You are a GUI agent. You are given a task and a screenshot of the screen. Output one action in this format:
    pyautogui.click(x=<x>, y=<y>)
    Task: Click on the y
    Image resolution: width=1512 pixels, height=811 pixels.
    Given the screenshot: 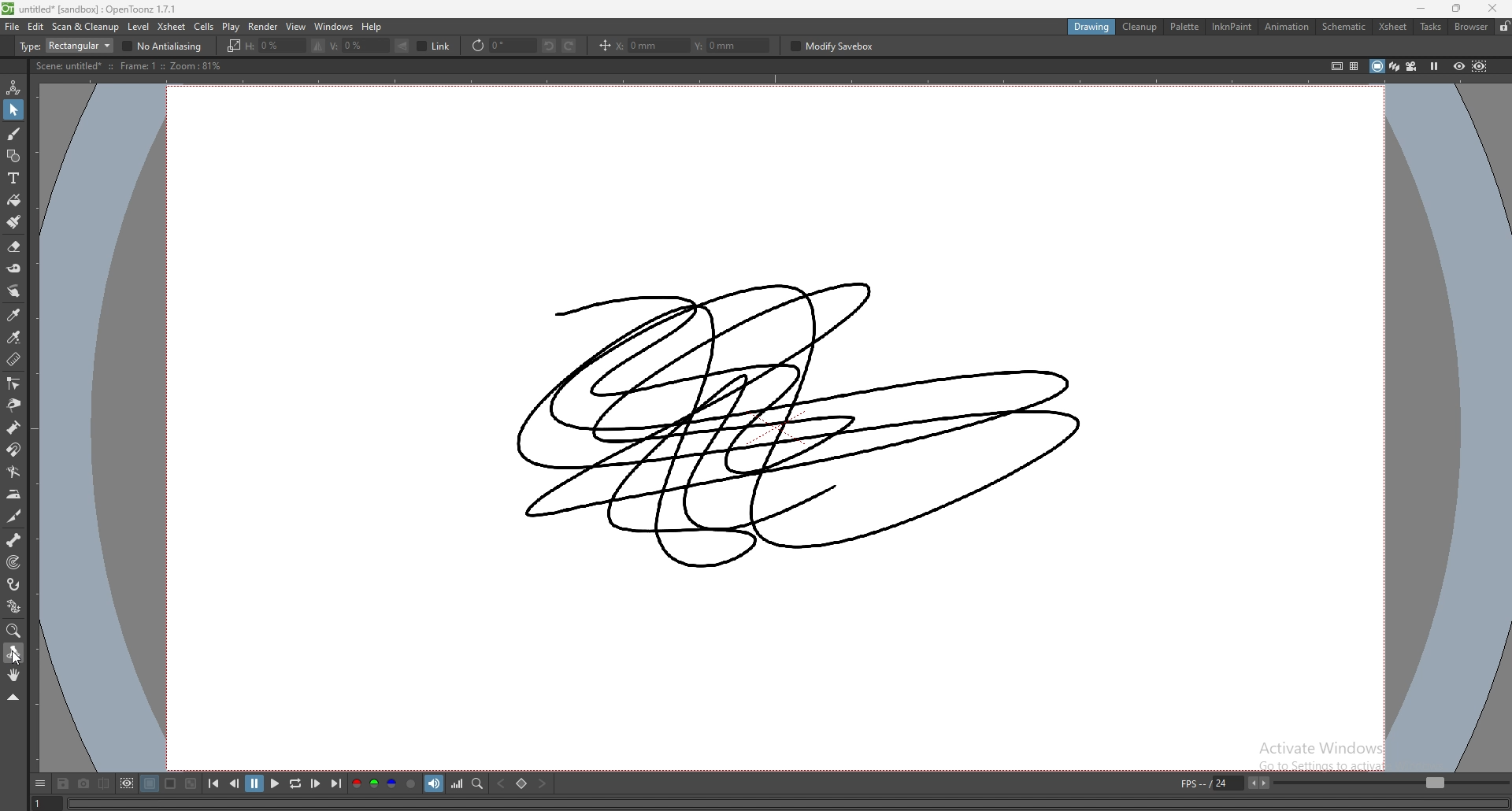 What is the action you would take?
    pyautogui.click(x=734, y=46)
    